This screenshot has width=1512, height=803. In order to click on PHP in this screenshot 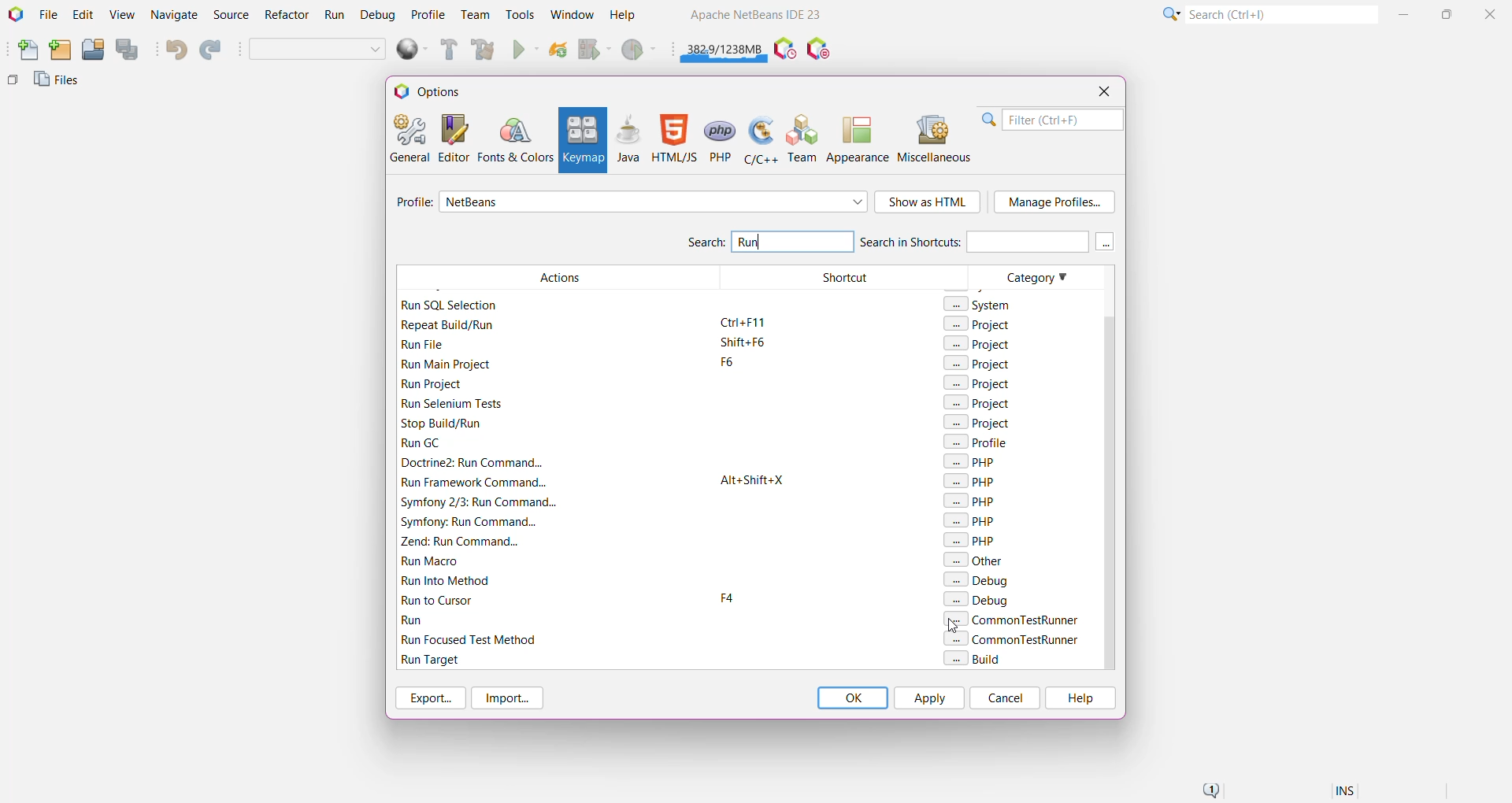, I will do `click(721, 139)`.